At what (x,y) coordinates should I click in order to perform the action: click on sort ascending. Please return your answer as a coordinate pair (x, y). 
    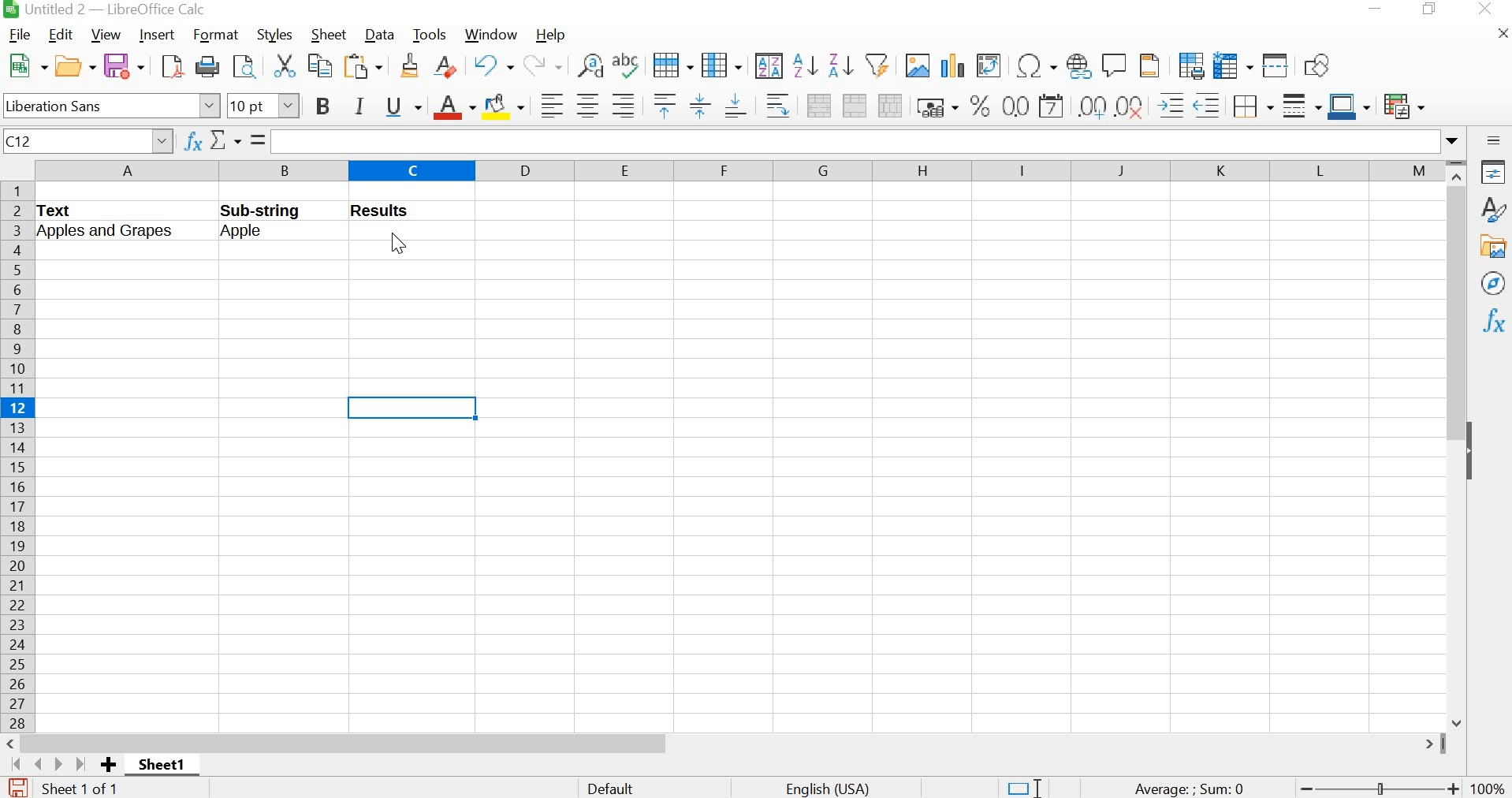
    Looking at the image, I should click on (805, 65).